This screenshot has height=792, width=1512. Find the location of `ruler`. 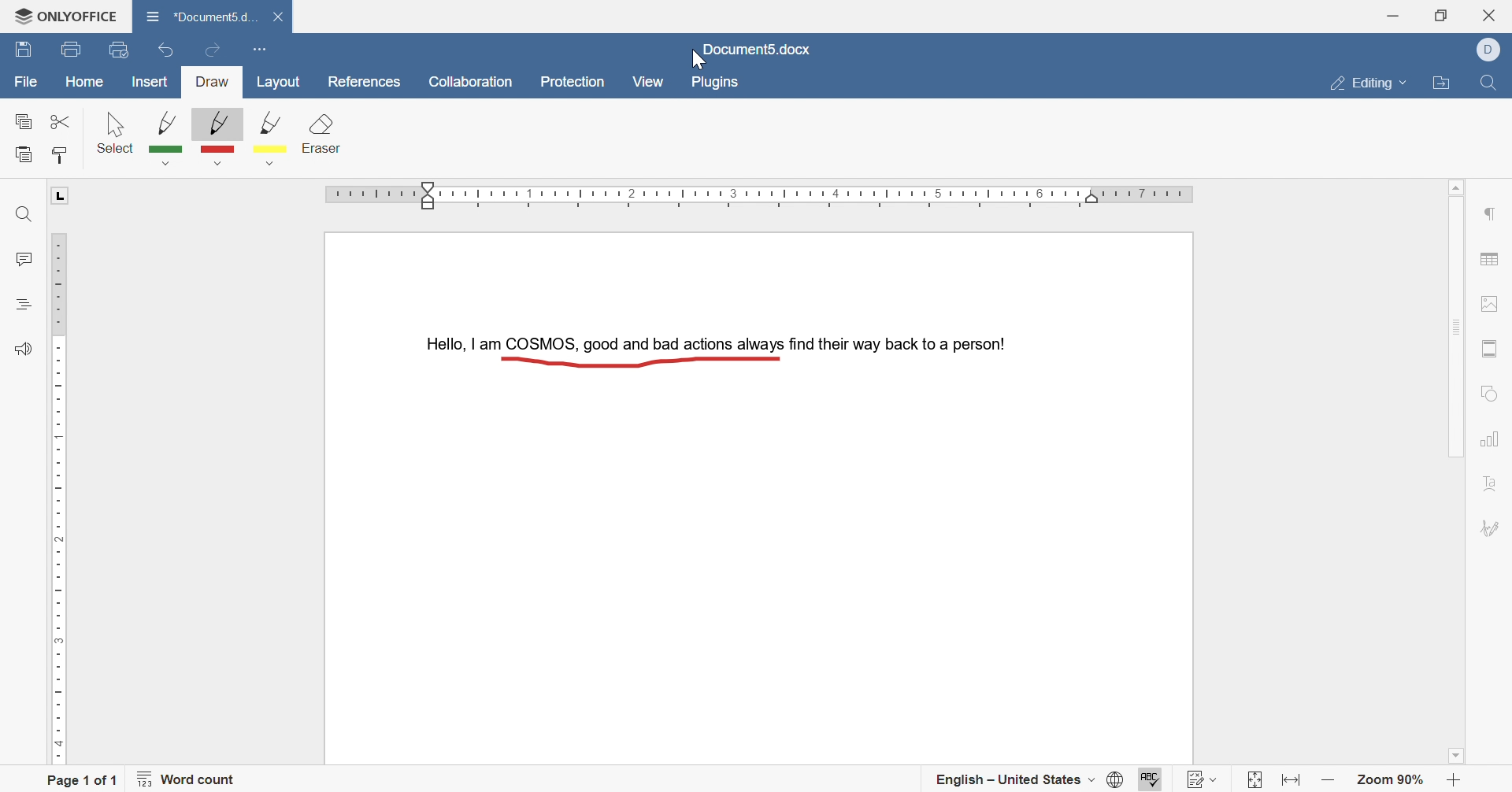

ruler is located at coordinates (57, 495).